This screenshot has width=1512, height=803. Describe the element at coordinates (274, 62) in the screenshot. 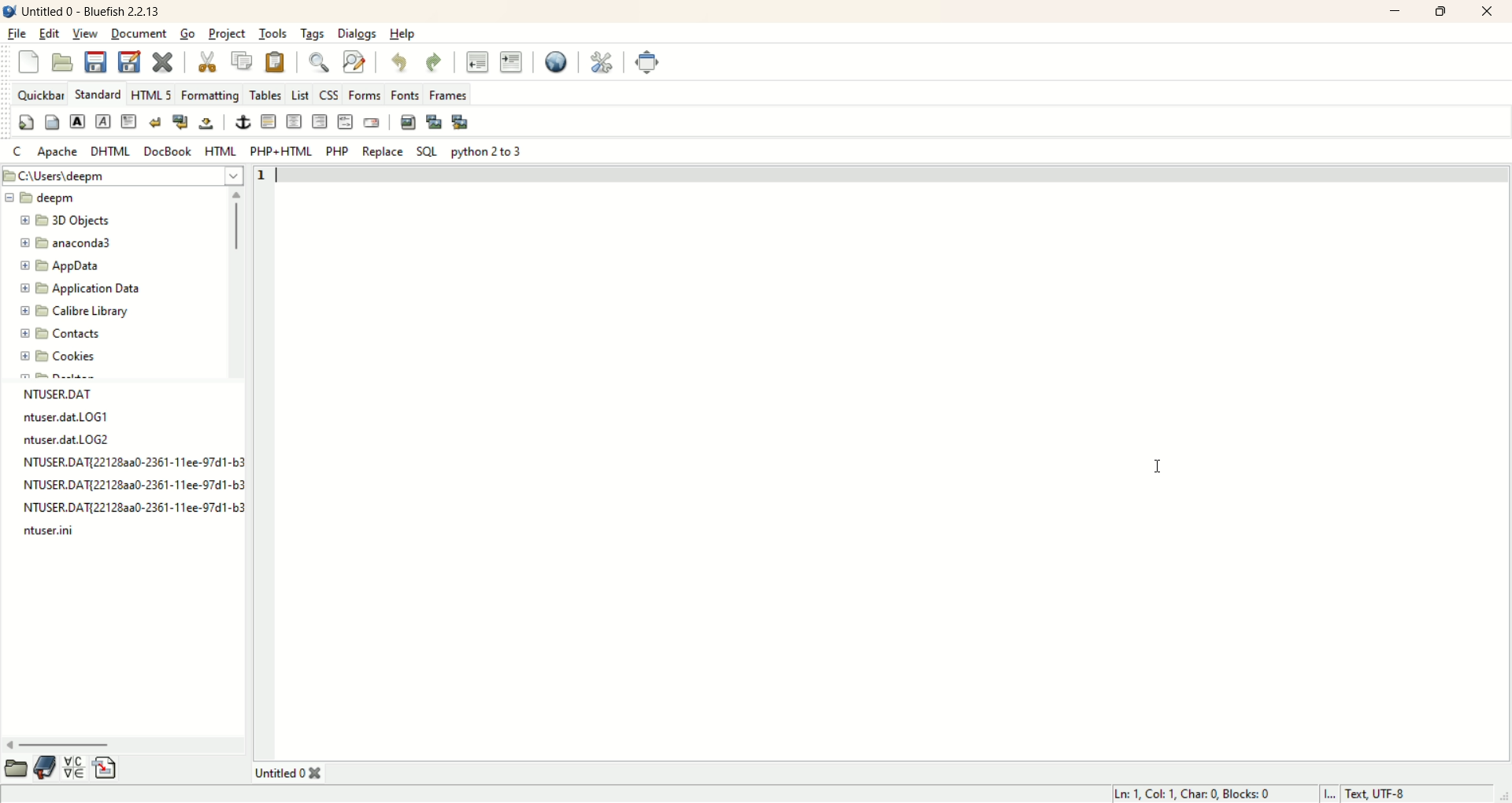

I see `paste` at that location.